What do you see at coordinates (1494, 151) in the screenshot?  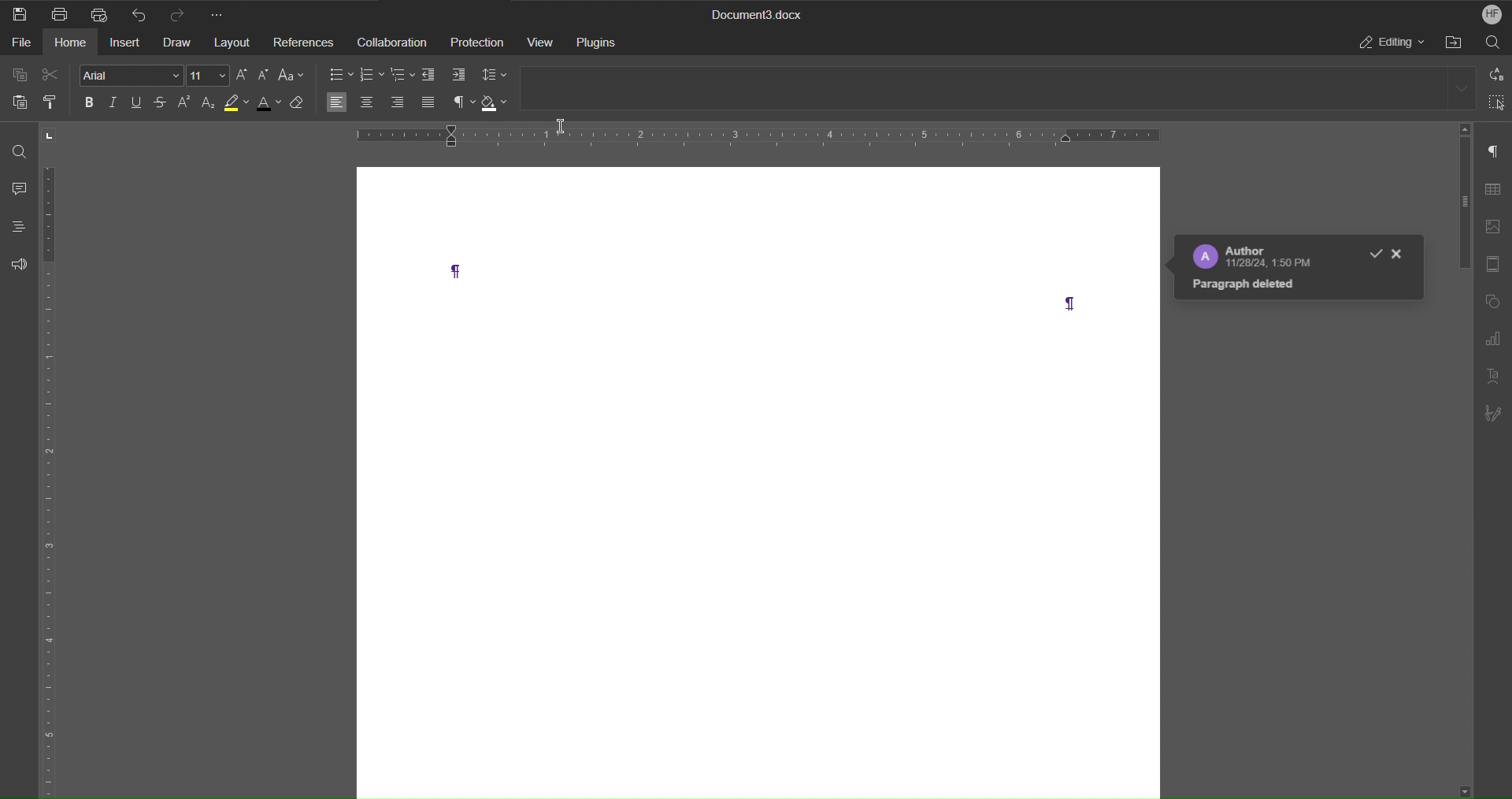 I see `Paragraph Settings` at bounding box center [1494, 151].